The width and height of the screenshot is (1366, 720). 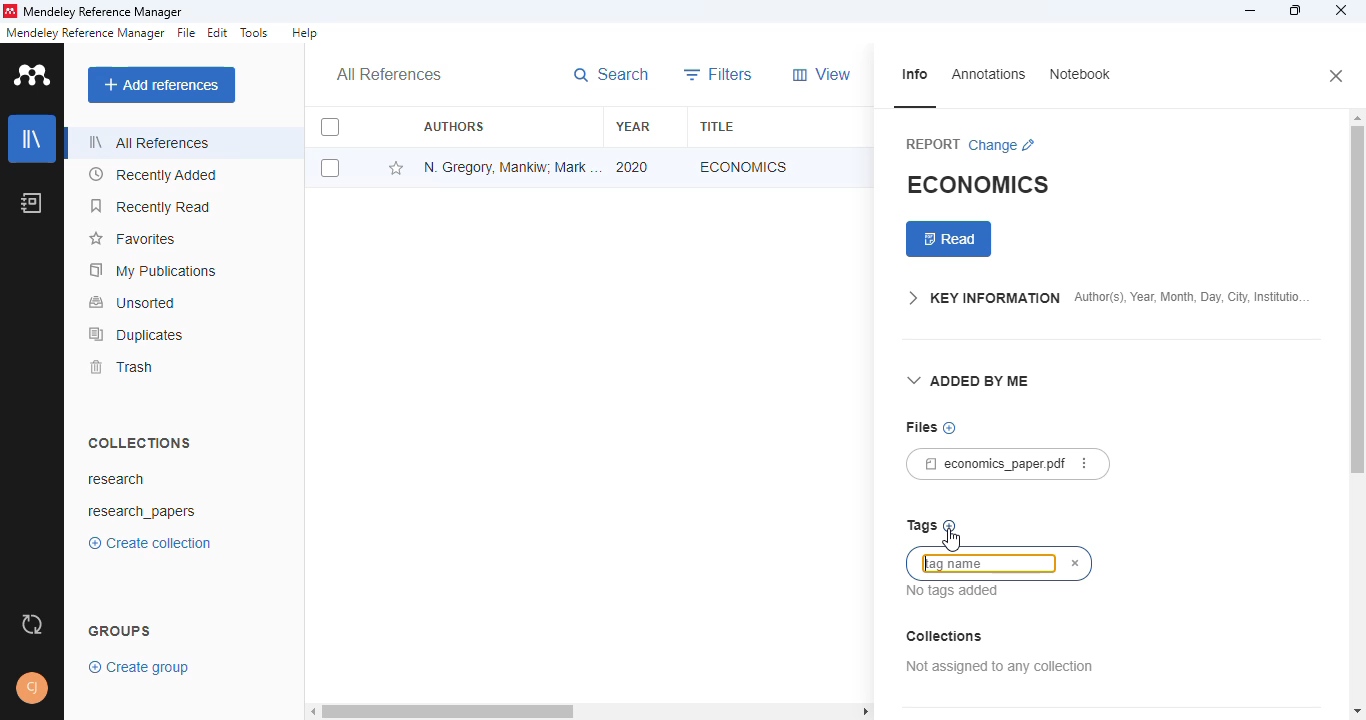 What do you see at coordinates (920, 427) in the screenshot?
I see `files` at bounding box center [920, 427].